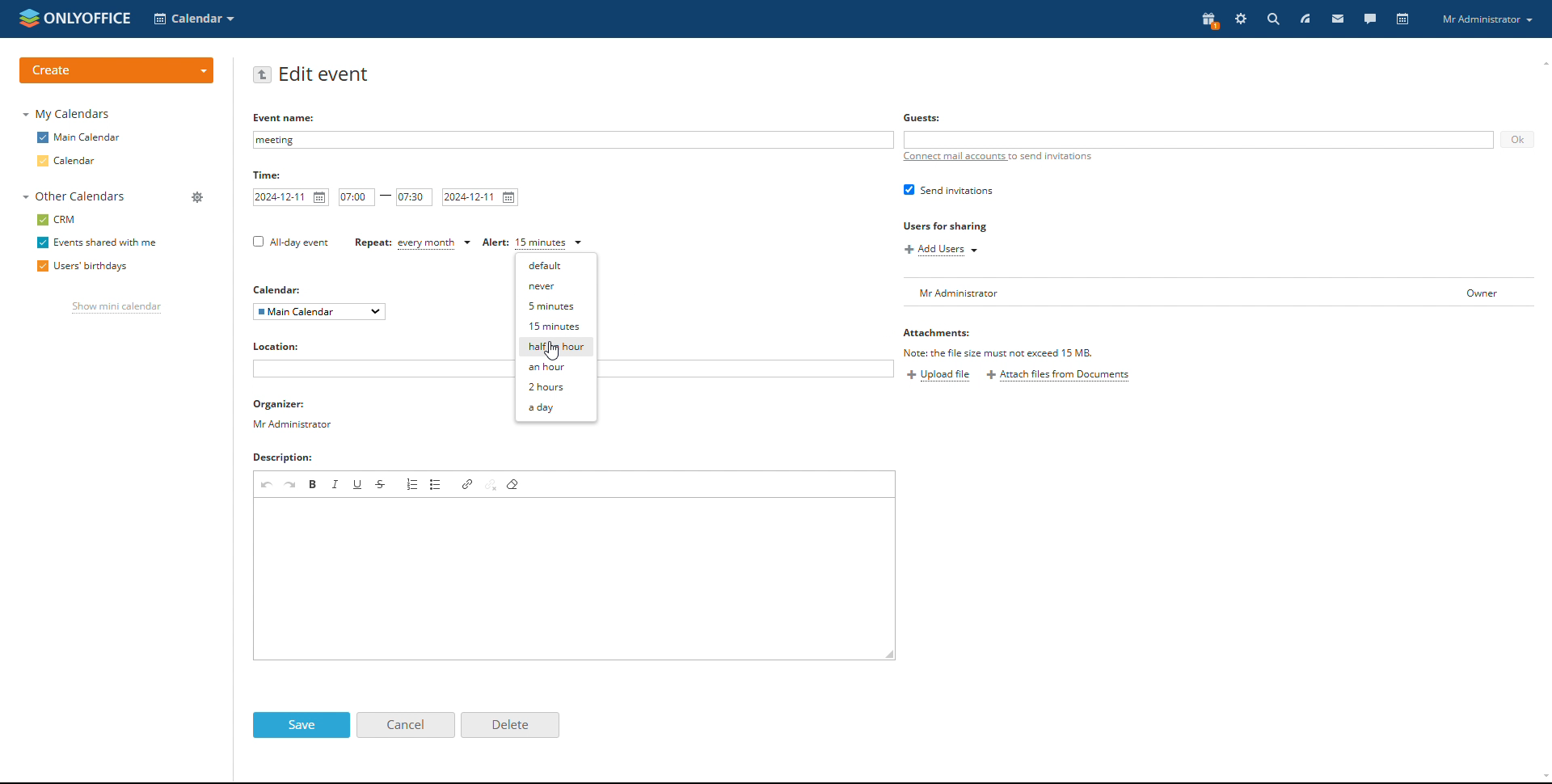 This screenshot has width=1552, height=784. Describe the element at coordinates (1305, 19) in the screenshot. I see `feed` at that location.